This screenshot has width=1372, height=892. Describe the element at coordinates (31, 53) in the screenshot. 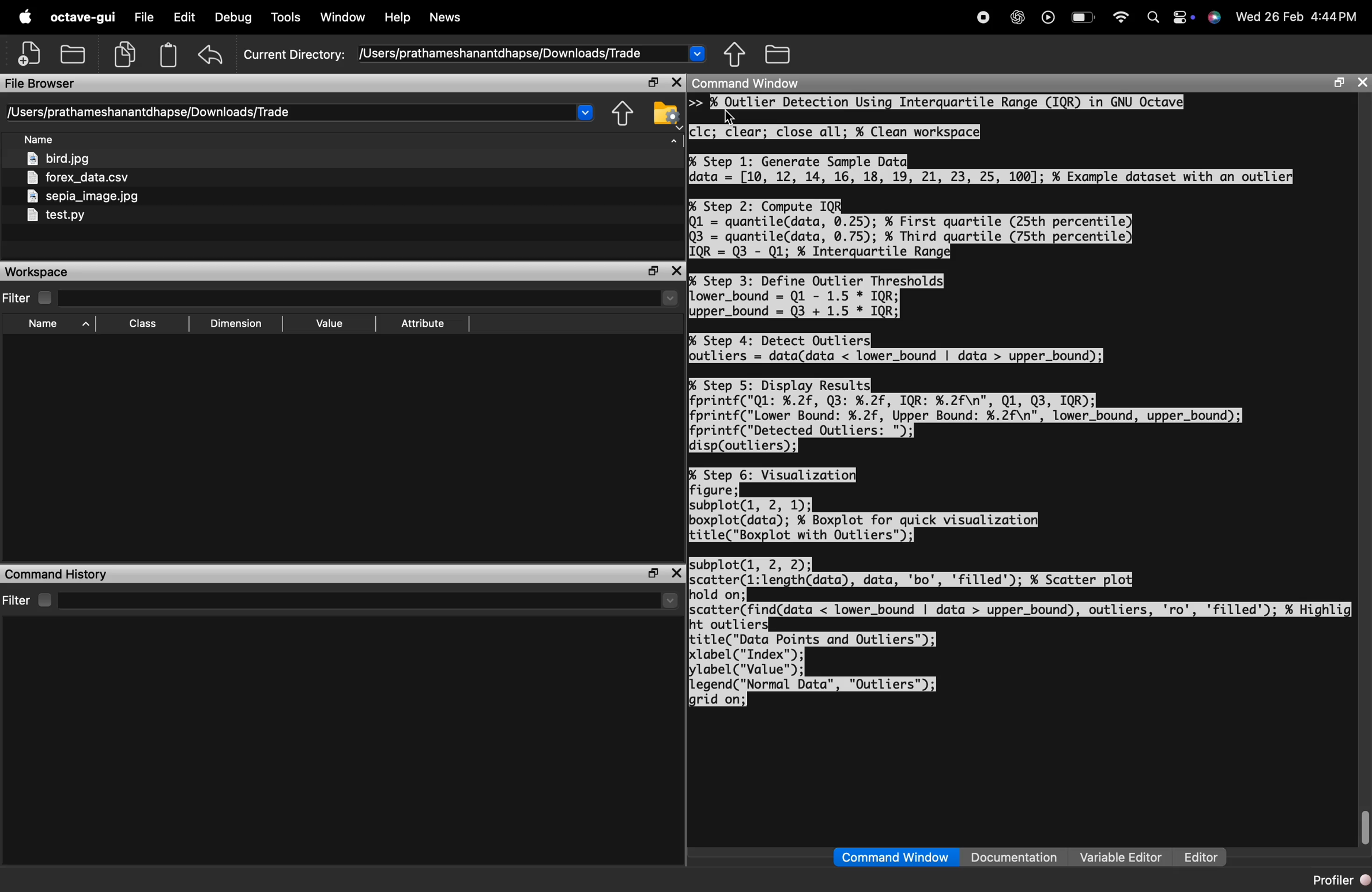

I see `add file` at that location.